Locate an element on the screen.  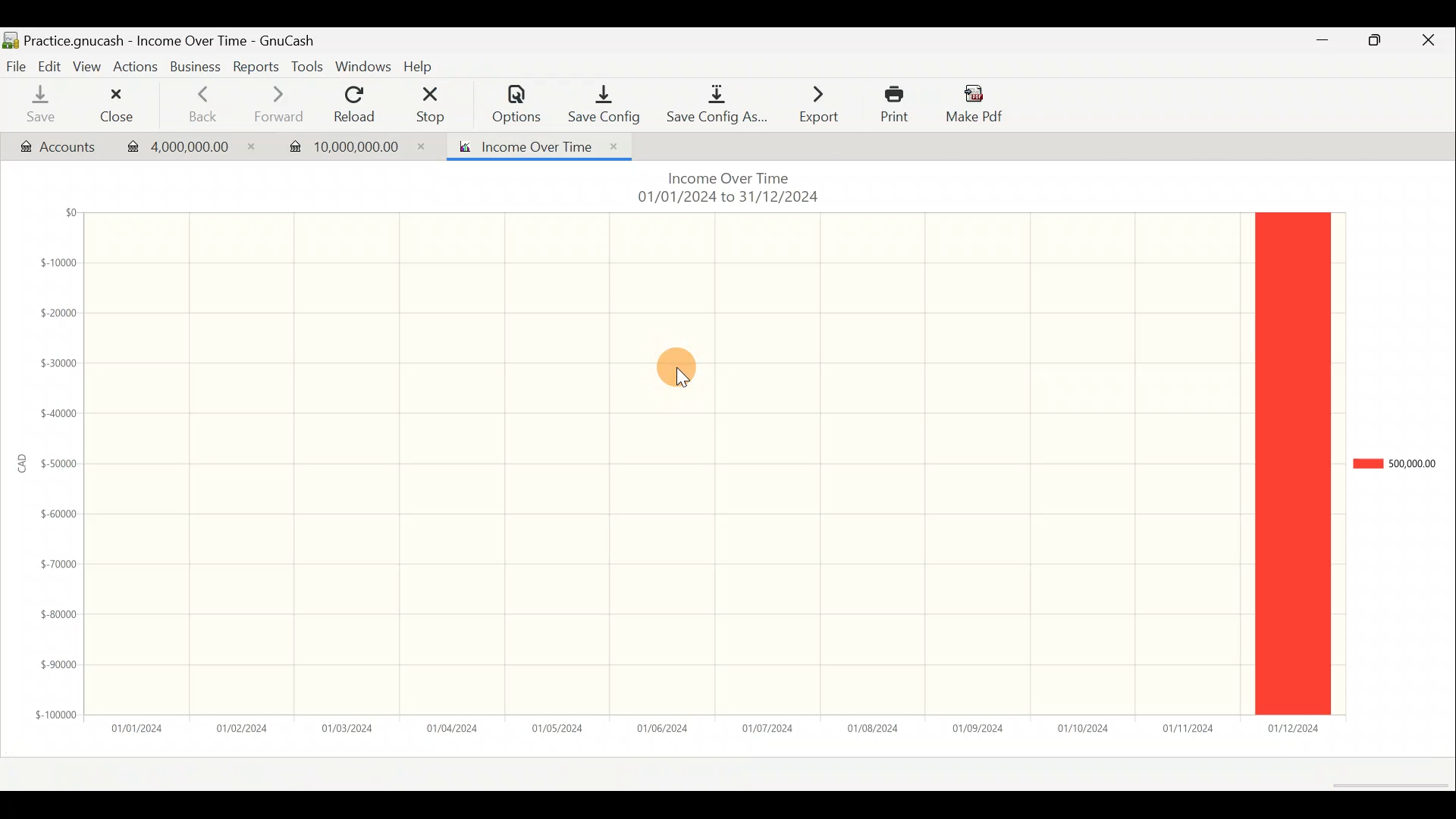
Minimize is located at coordinates (1318, 42).